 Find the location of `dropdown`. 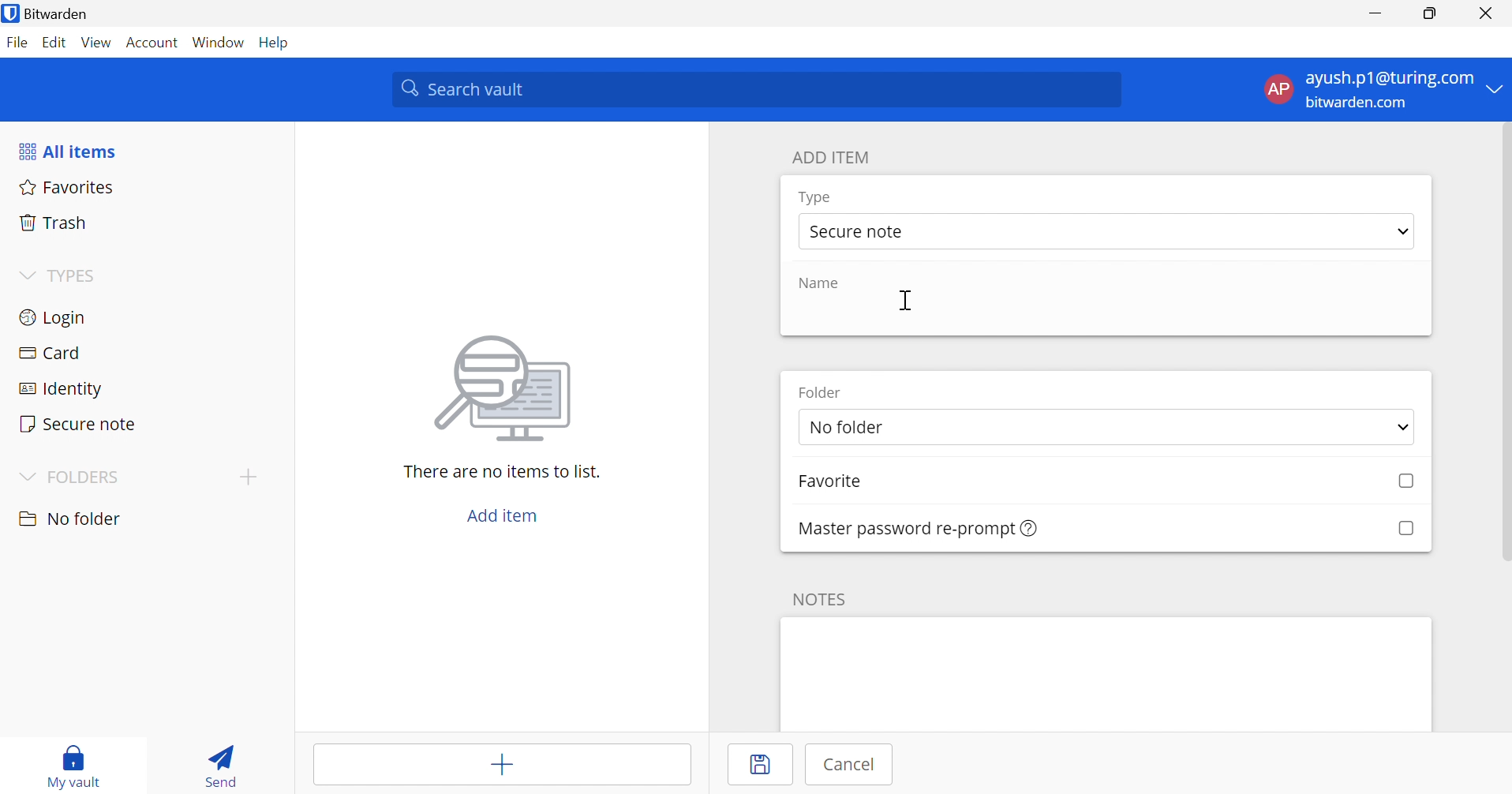

dropdown is located at coordinates (1398, 427).